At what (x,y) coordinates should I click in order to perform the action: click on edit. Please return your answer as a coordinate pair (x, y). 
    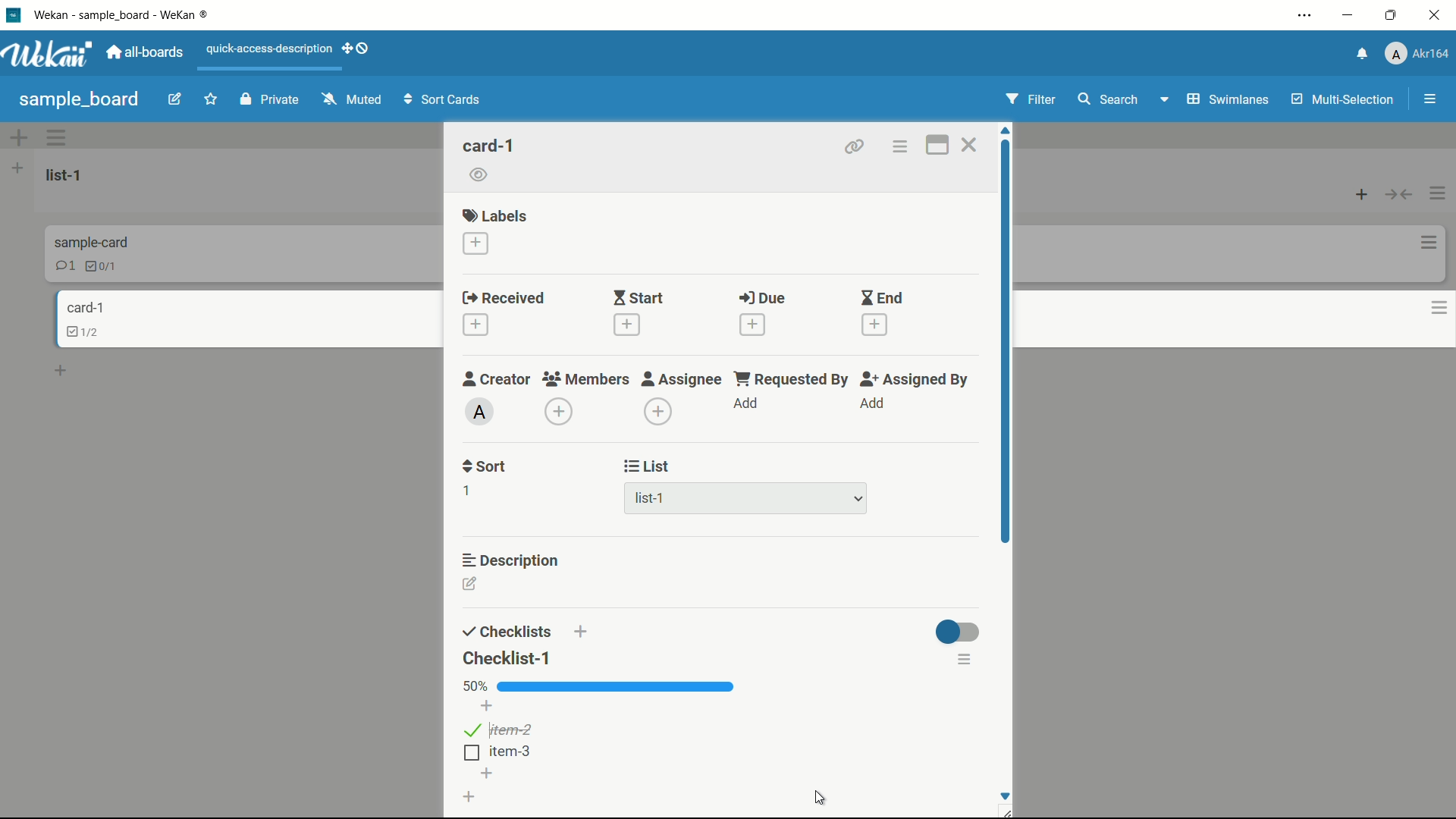
    Looking at the image, I should click on (175, 99).